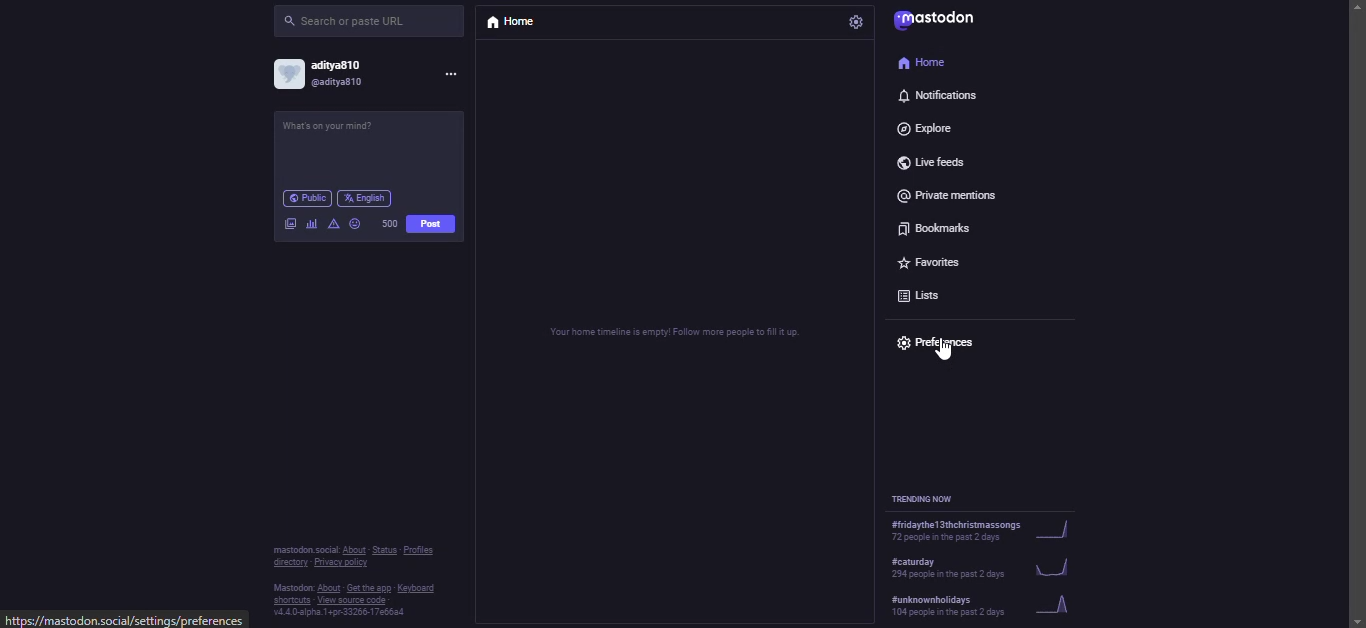  Describe the element at coordinates (360, 577) in the screenshot. I see `info` at that location.